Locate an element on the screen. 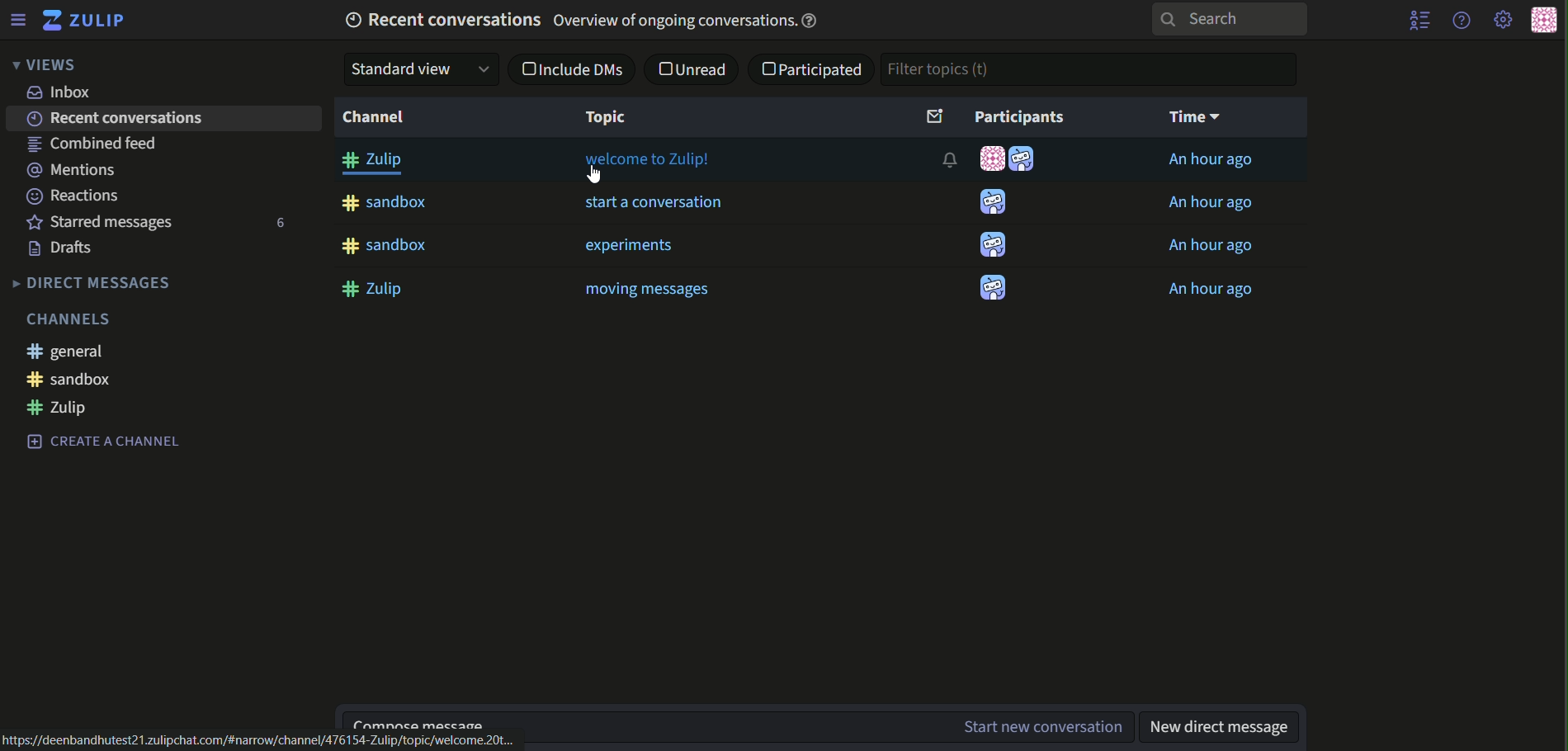 The width and height of the screenshot is (1568, 751). text is located at coordinates (93, 282).